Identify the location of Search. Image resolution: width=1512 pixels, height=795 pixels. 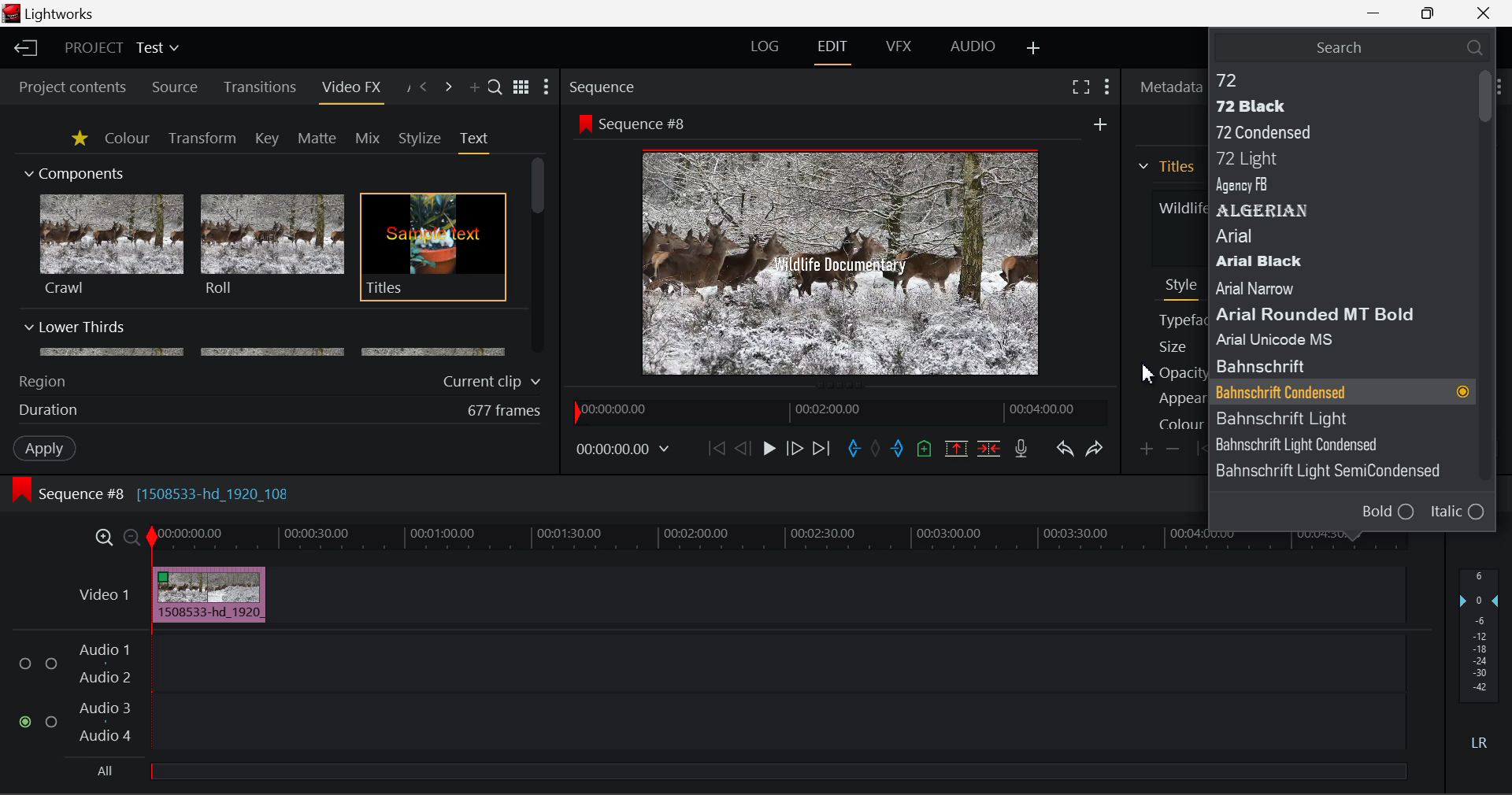
(496, 86).